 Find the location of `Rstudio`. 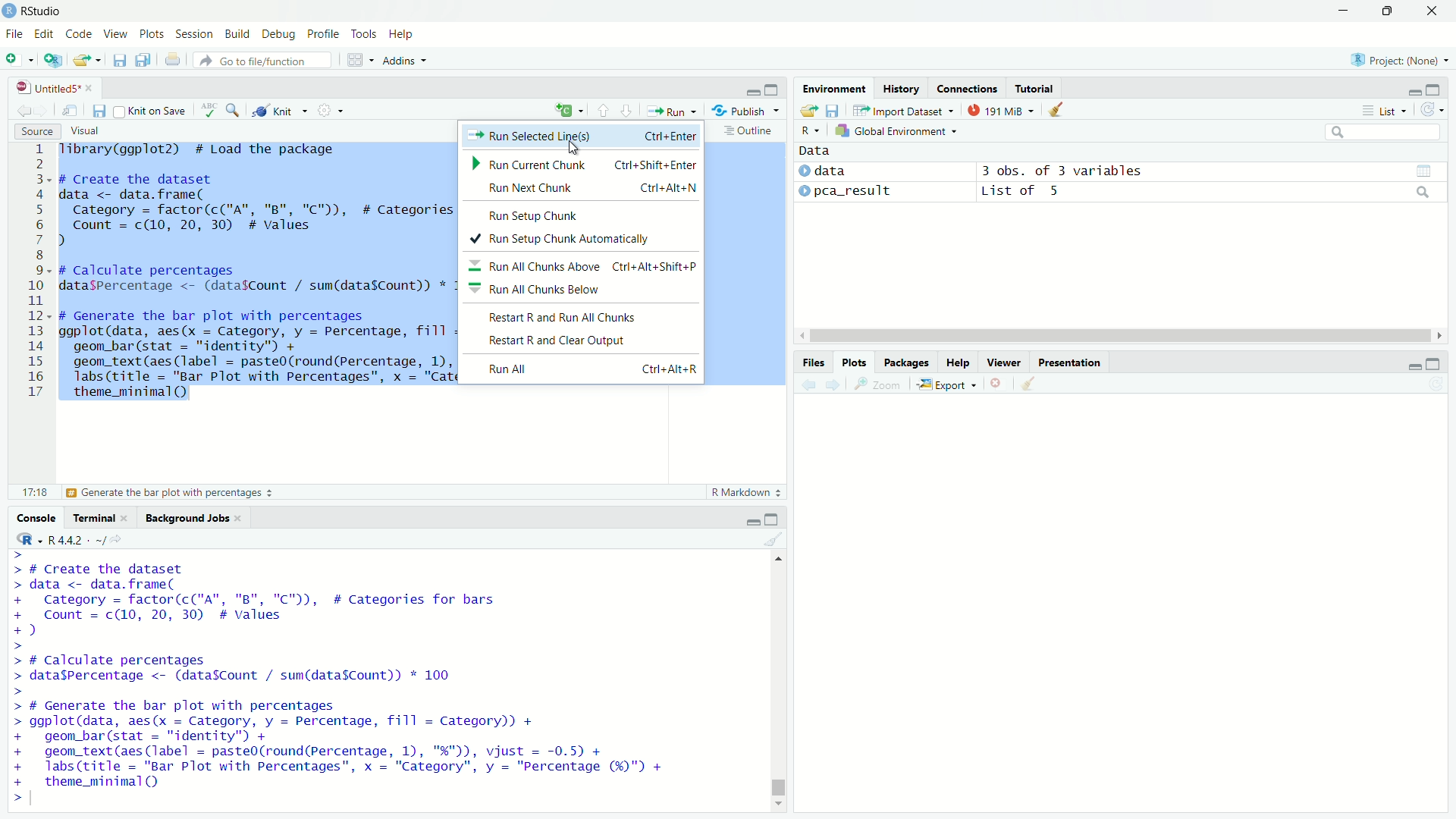

Rstudio is located at coordinates (42, 11).